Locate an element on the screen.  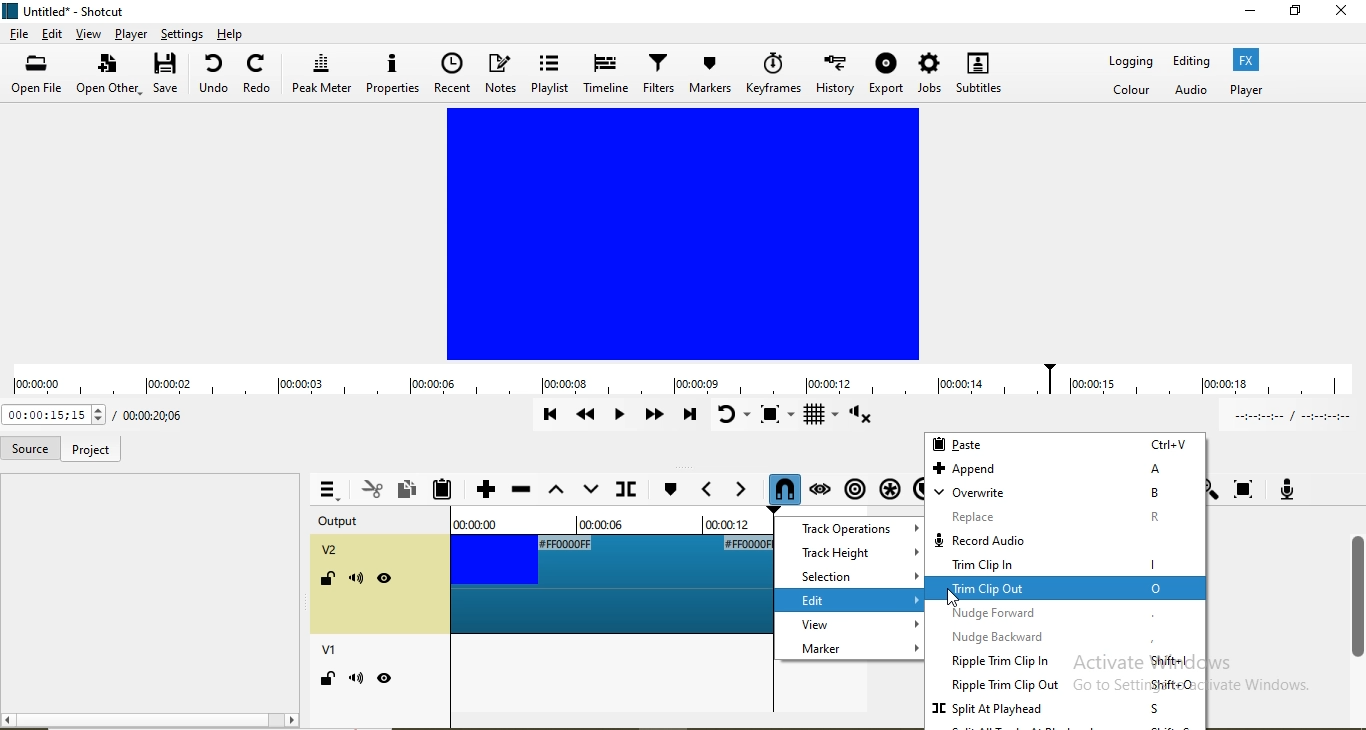
ripple trim clip in is located at coordinates (1069, 662).